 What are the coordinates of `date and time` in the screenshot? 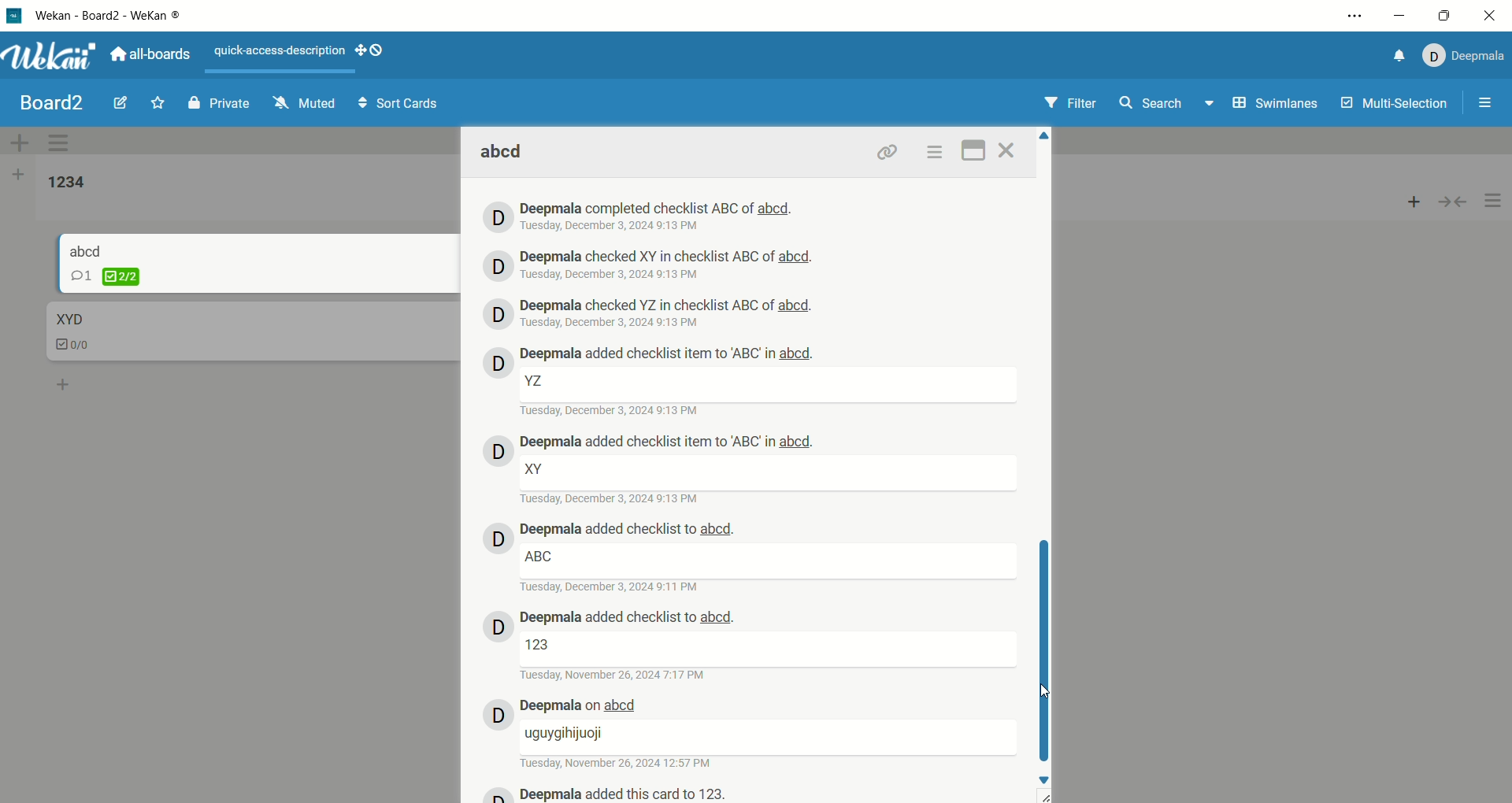 It's located at (619, 763).